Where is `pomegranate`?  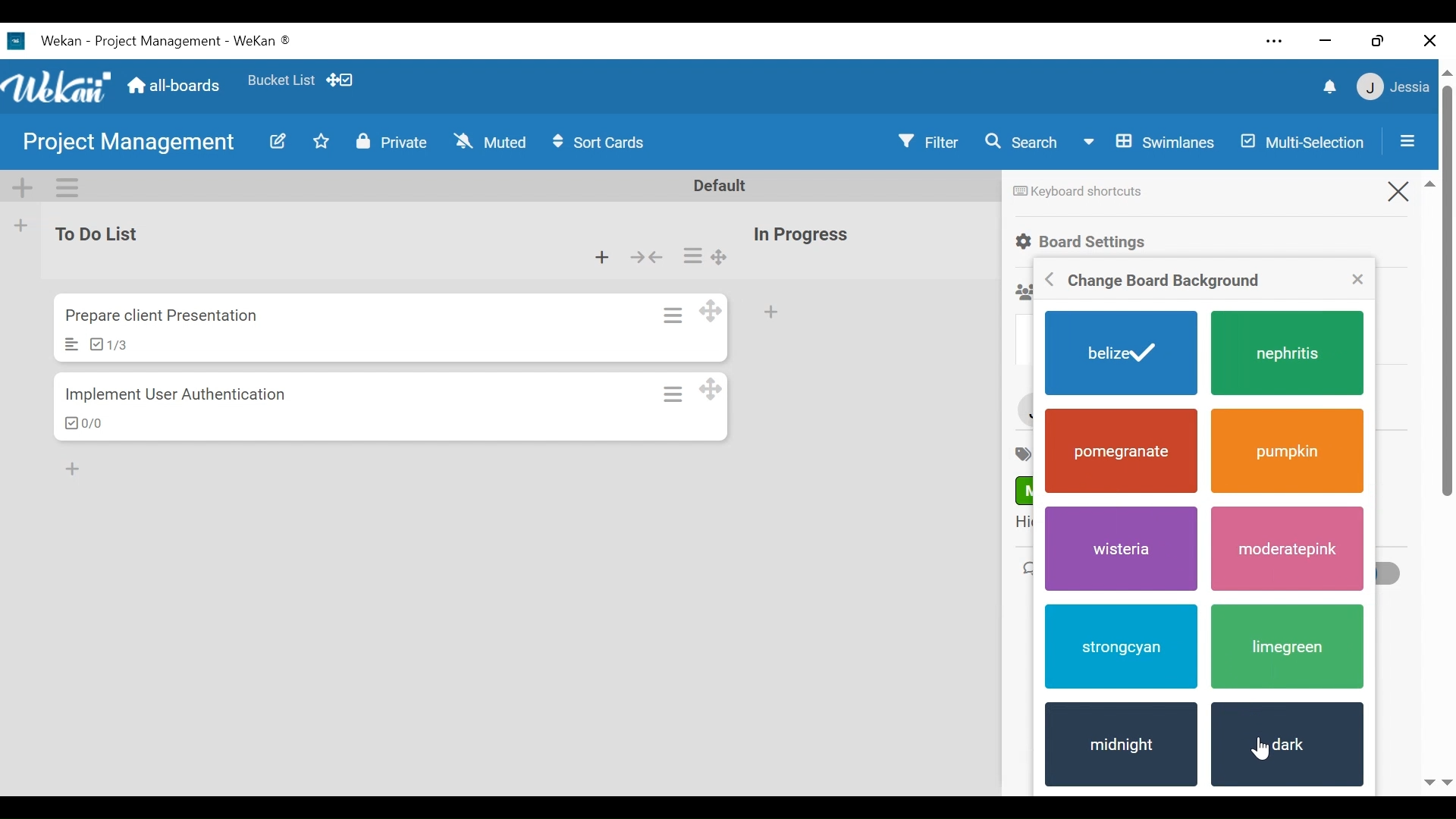 pomegranate is located at coordinates (1122, 451).